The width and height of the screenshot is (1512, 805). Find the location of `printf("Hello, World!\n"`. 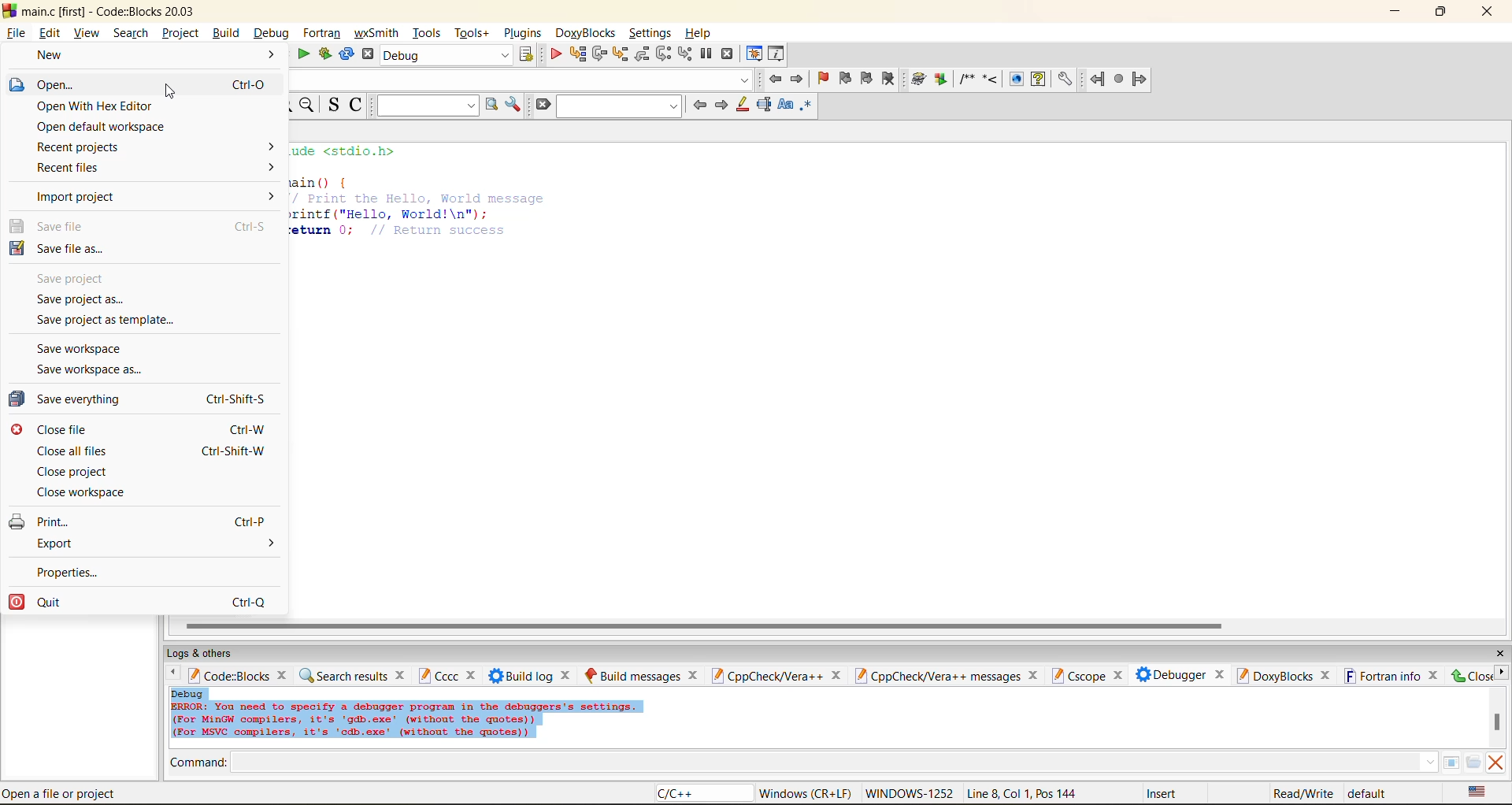

printf("Hello, World!\n" is located at coordinates (391, 213).